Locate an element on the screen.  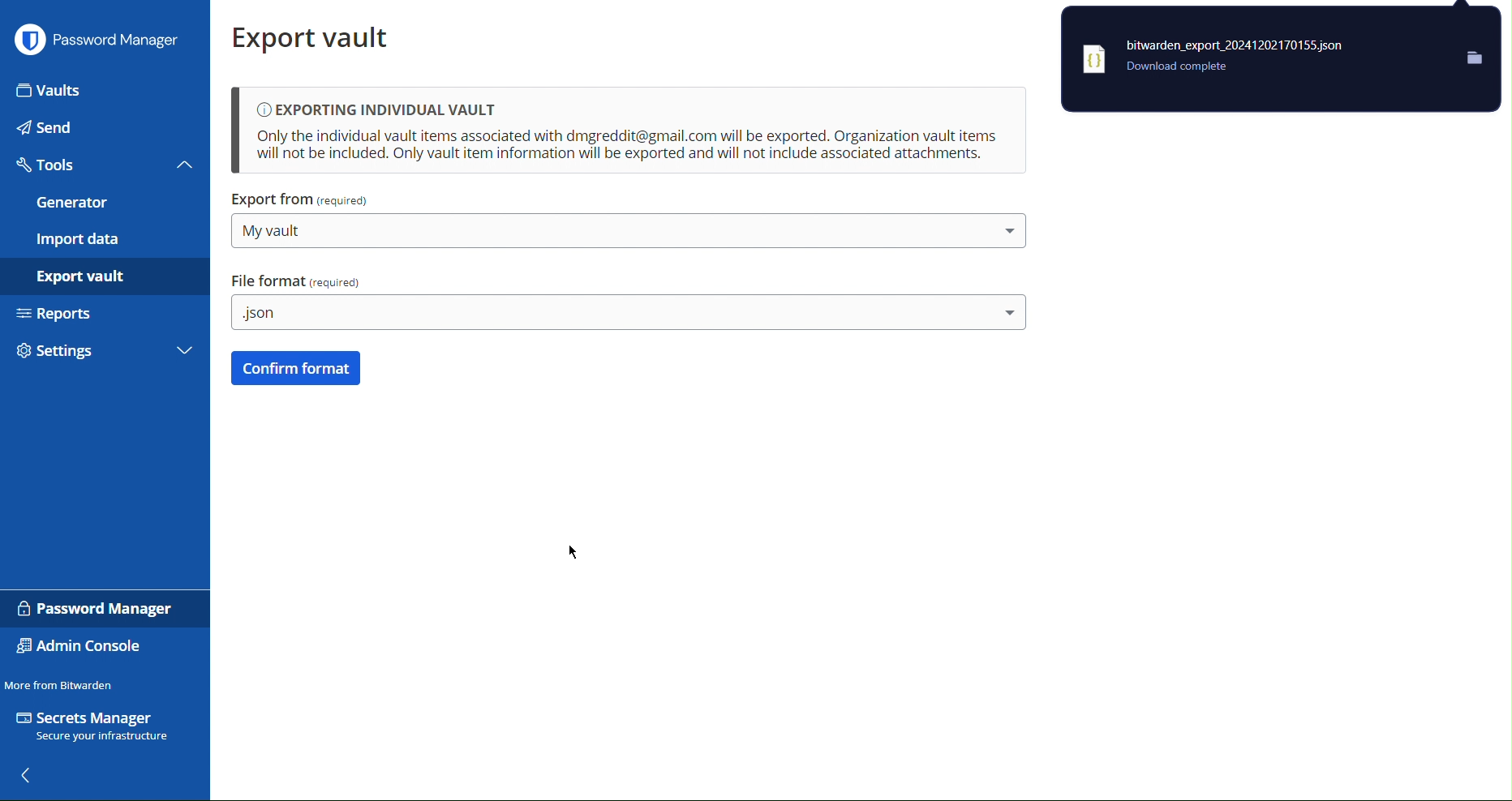
More  is located at coordinates (184, 349).